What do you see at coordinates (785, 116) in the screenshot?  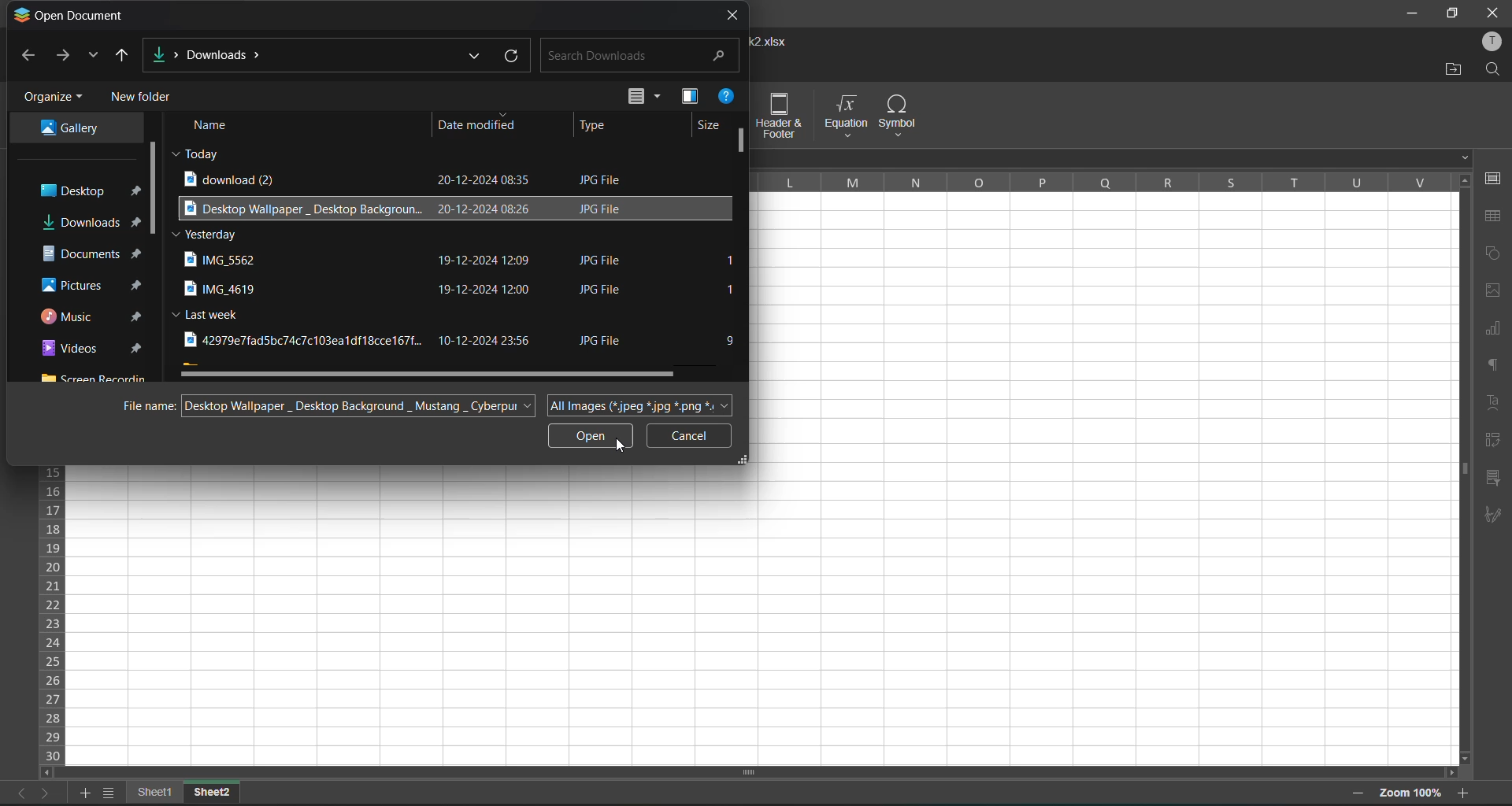 I see `header and footer` at bounding box center [785, 116].